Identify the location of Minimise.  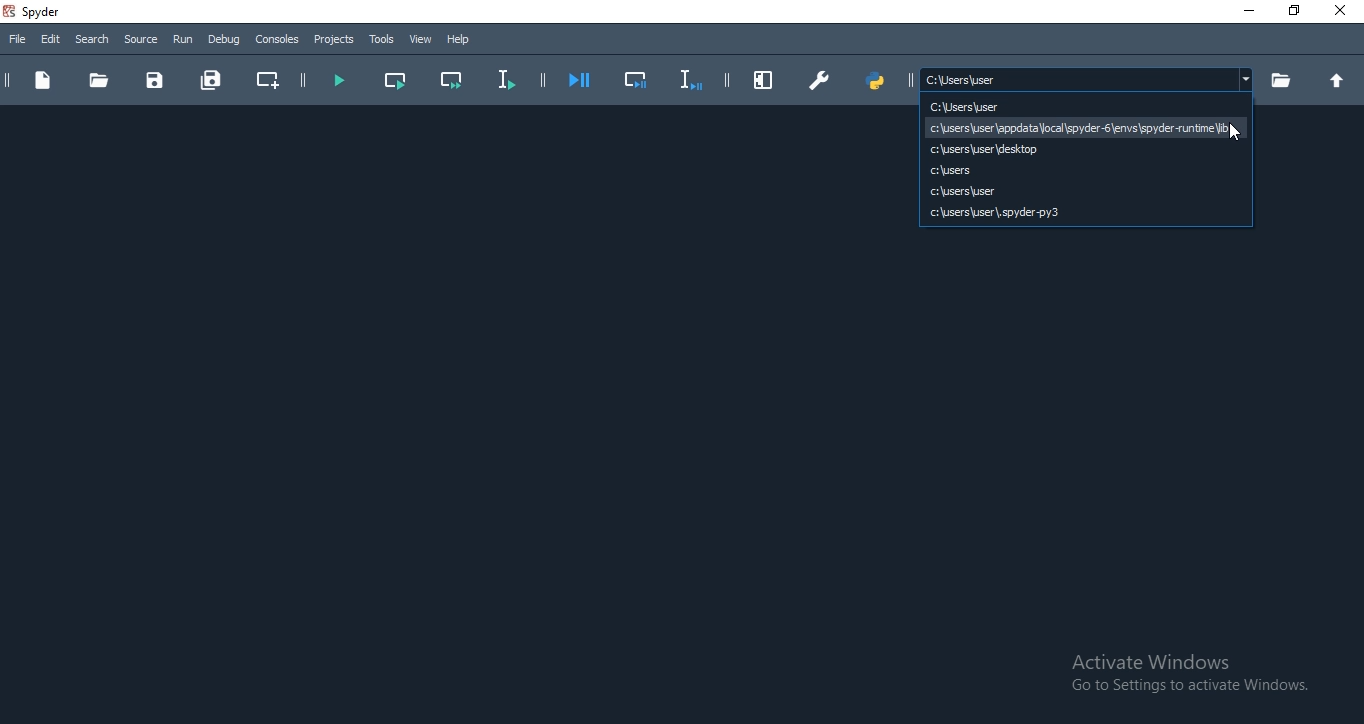
(1246, 11).